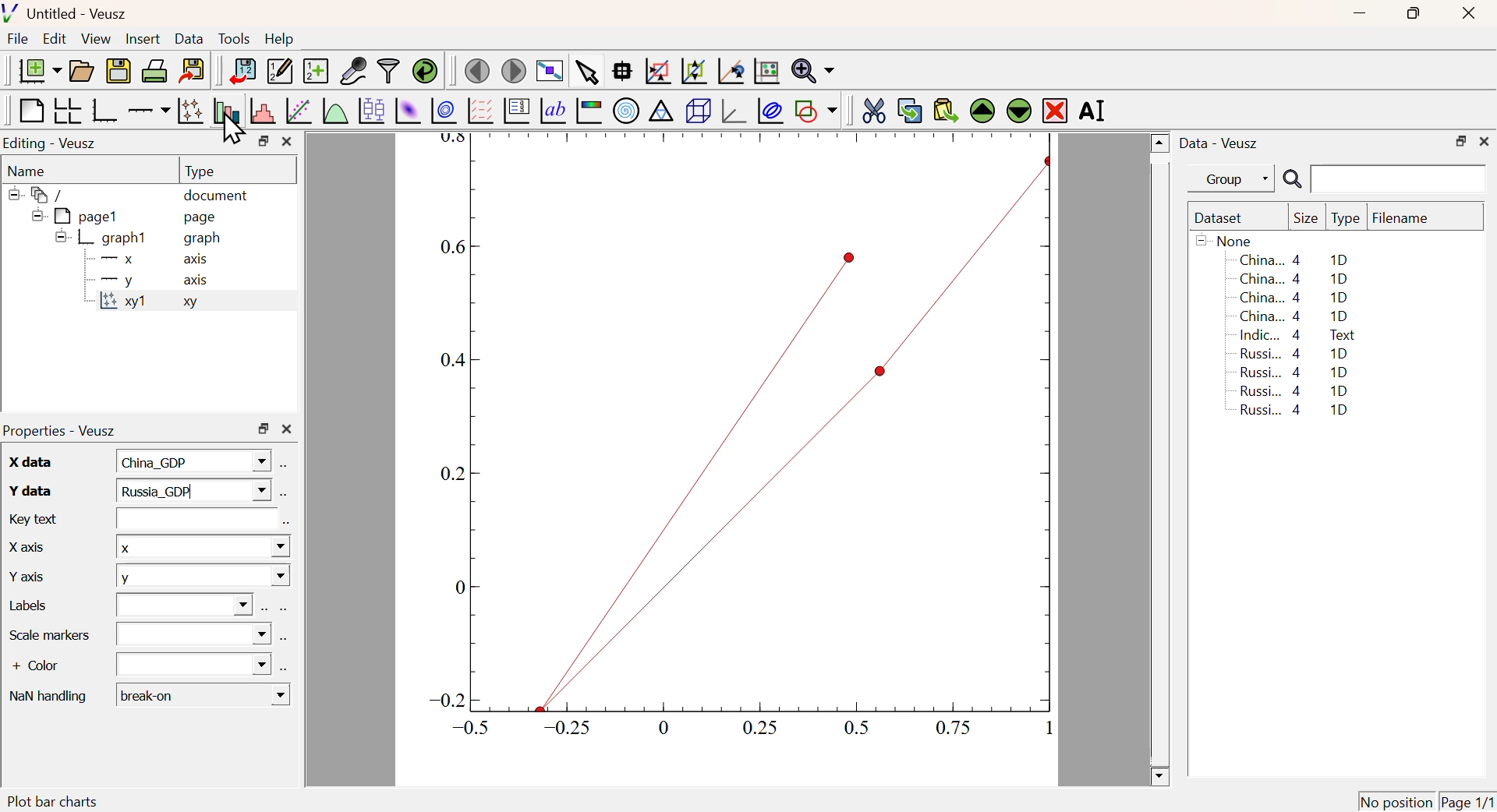  I want to click on Ternary Graph, so click(660, 110).